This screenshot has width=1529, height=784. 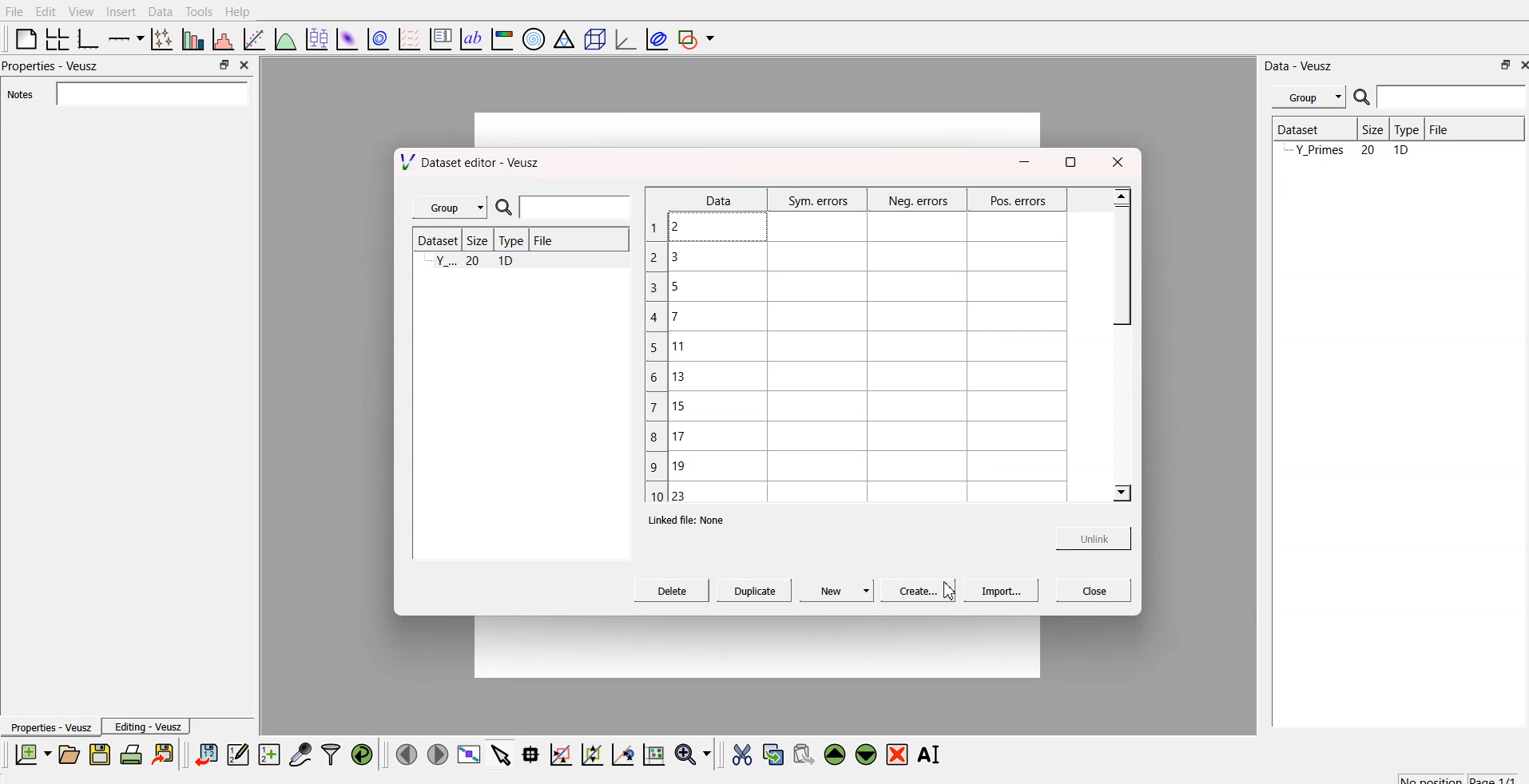 I want to click on text label, so click(x=469, y=39).